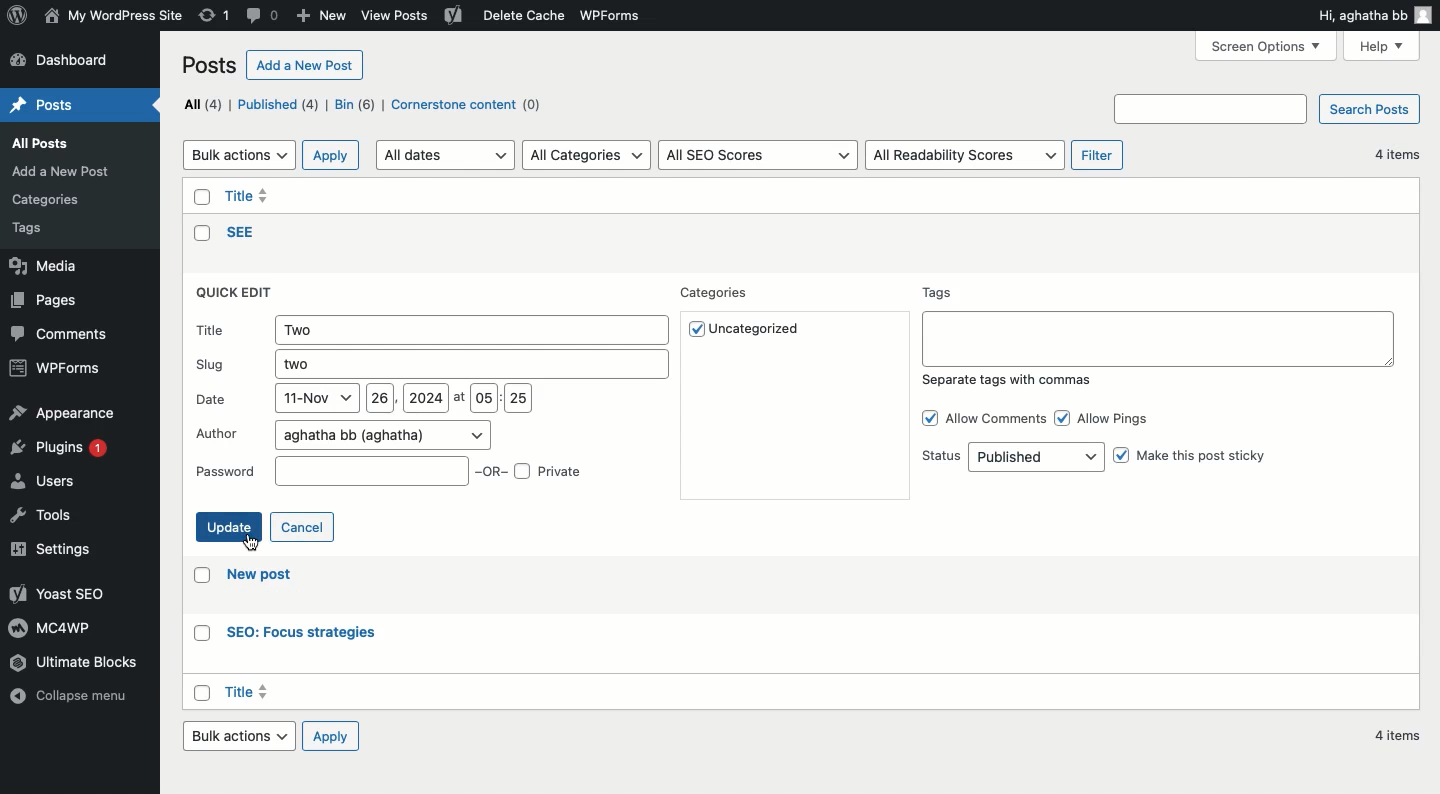 The height and width of the screenshot is (794, 1440). Describe the element at coordinates (65, 452) in the screenshot. I see `Plugins` at that location.